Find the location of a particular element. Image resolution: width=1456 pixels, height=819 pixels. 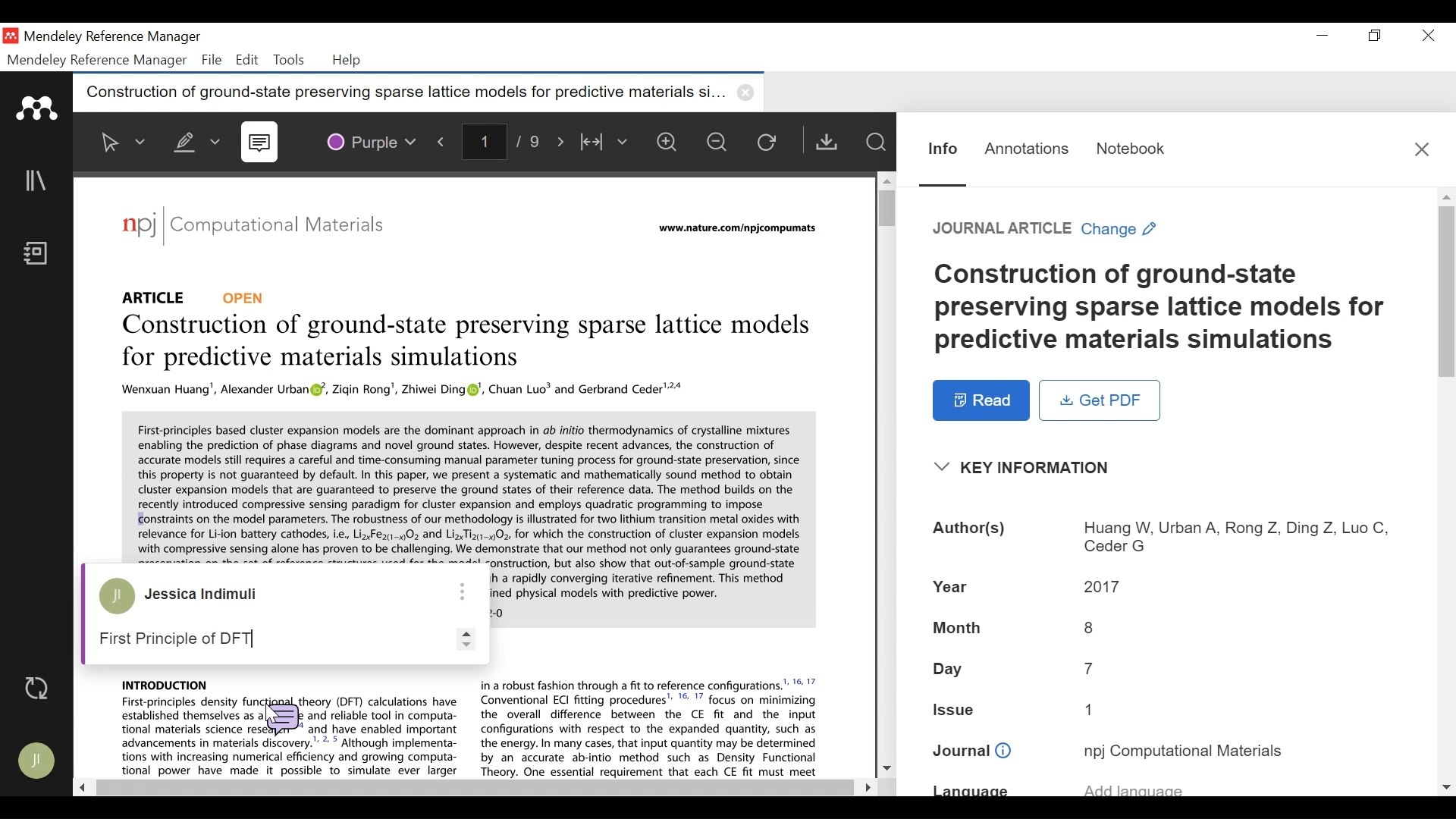

Scroll up is located at coordinates (886, 178).